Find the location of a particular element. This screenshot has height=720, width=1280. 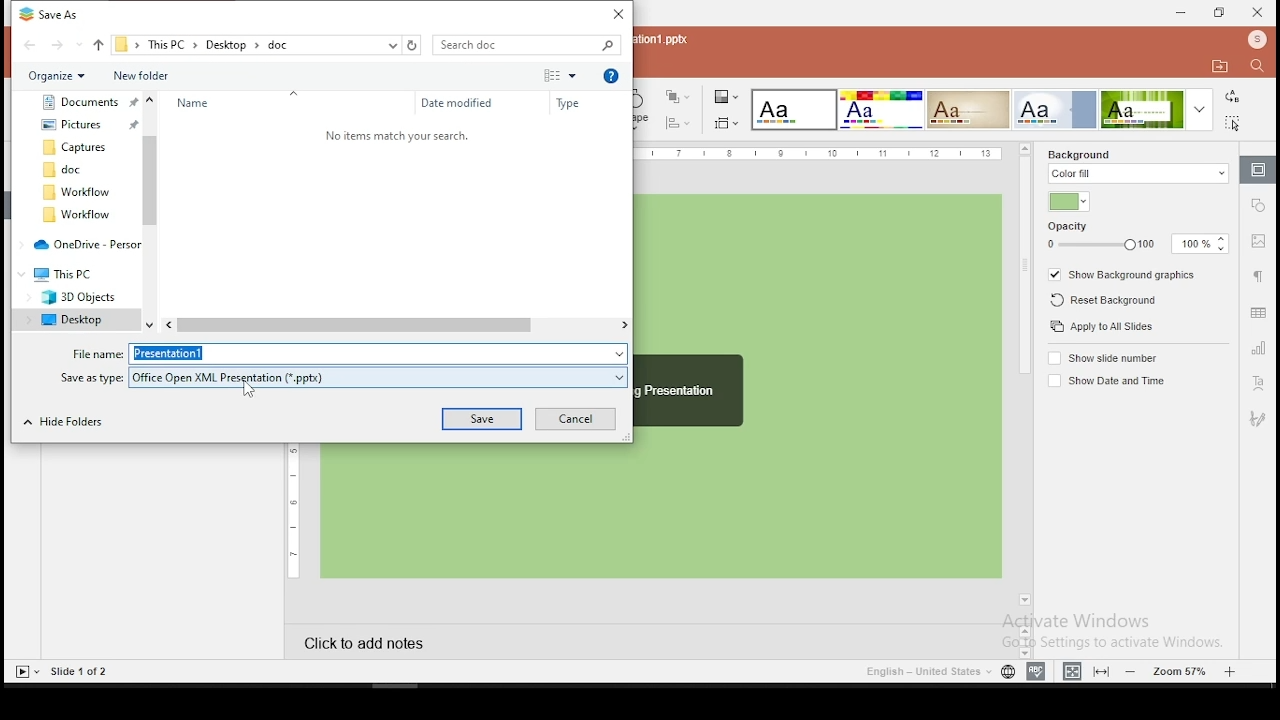

show date and time is located at coordinates (1105, 380).